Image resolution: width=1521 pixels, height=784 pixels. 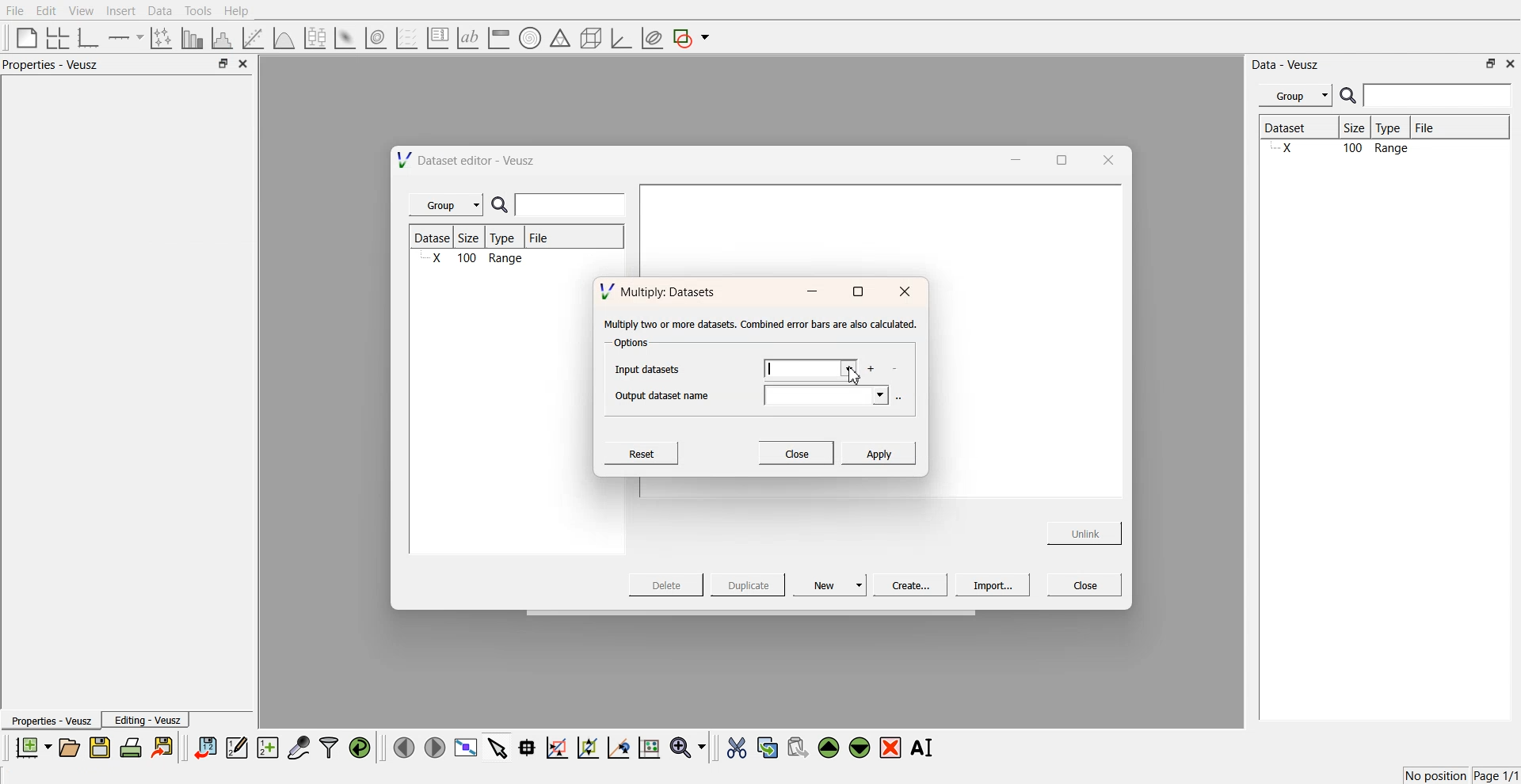 I want to click on minimise, so click(x=1012, y=158).